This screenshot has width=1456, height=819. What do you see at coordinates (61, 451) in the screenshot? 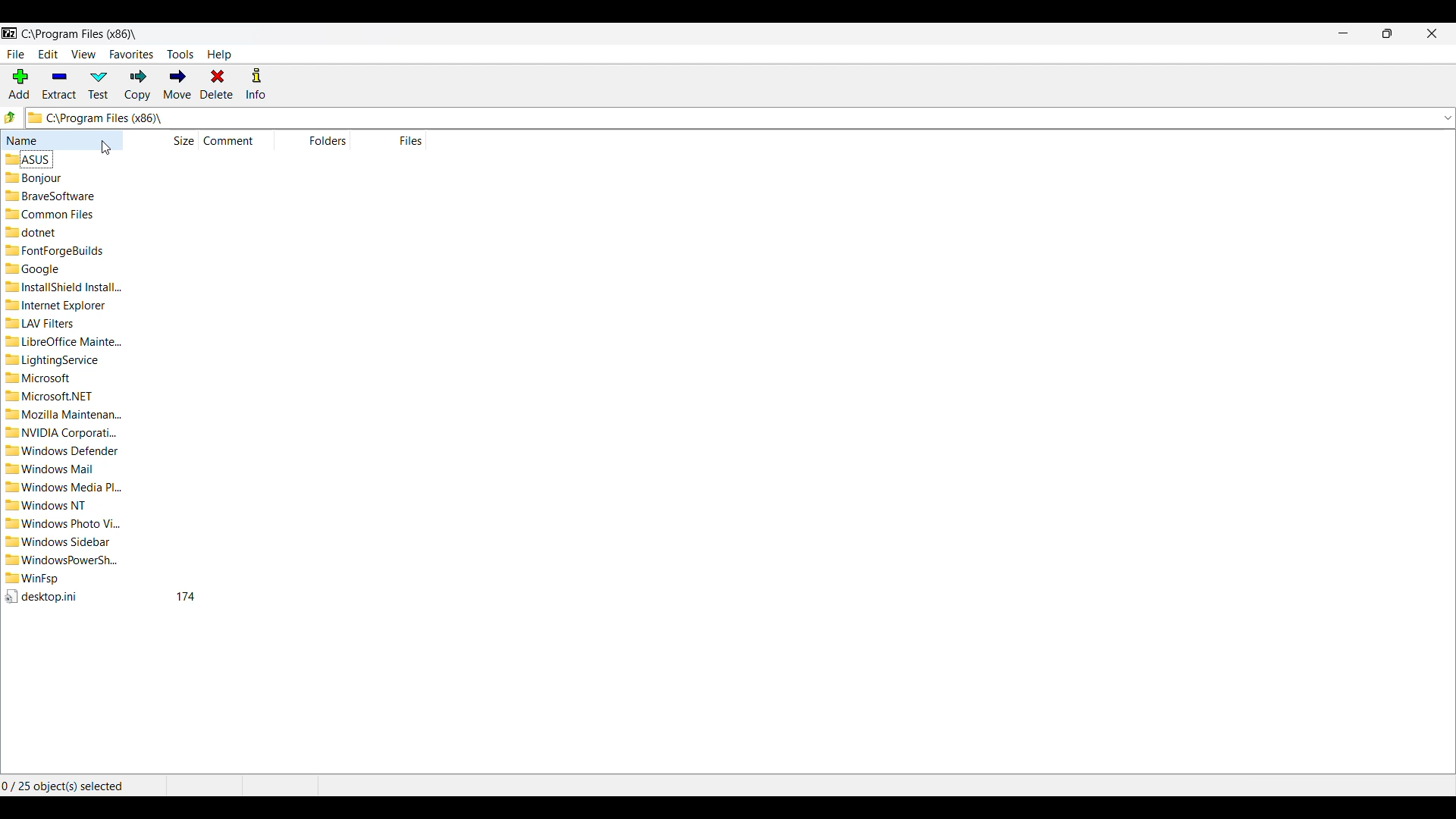
I see `Windows Defender` at bounding box center [61, 451].